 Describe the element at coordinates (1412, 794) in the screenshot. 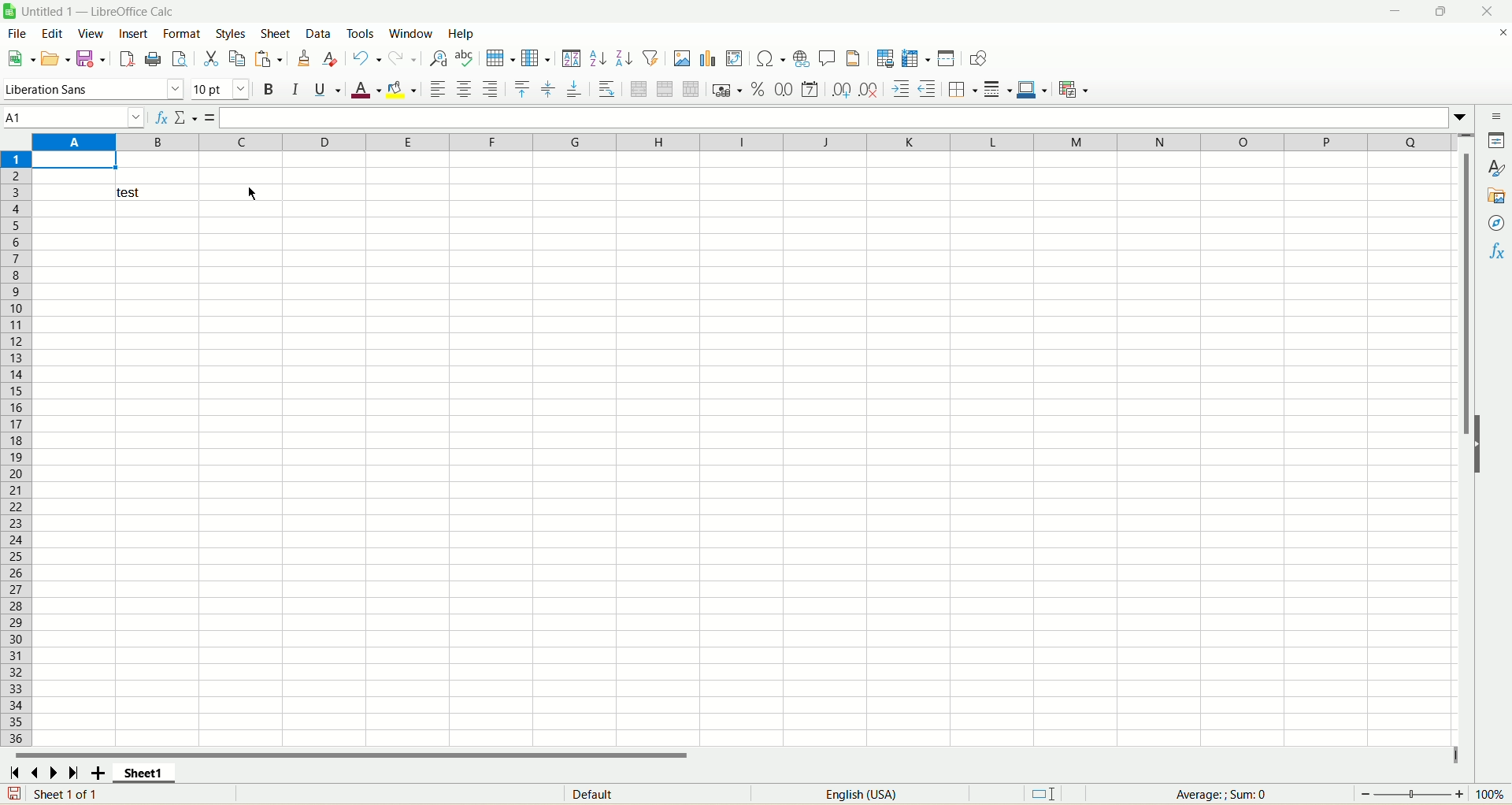

I see `zoom bar` at that location.